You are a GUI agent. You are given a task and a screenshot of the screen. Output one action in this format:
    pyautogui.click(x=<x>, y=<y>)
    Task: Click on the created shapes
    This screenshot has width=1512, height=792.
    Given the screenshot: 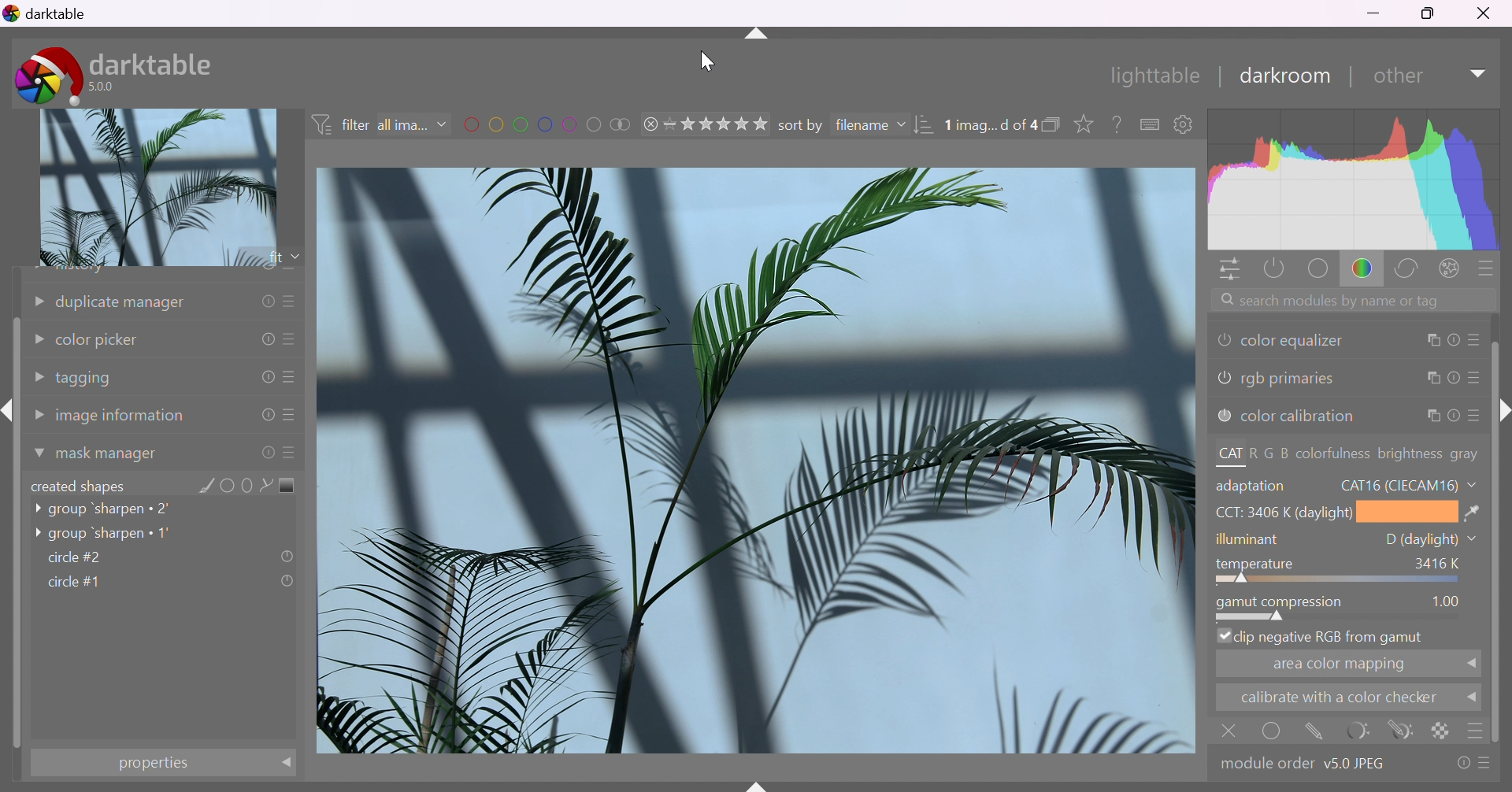 What is the action you would take?
    pyautogui.click(x=80, y=489)
    